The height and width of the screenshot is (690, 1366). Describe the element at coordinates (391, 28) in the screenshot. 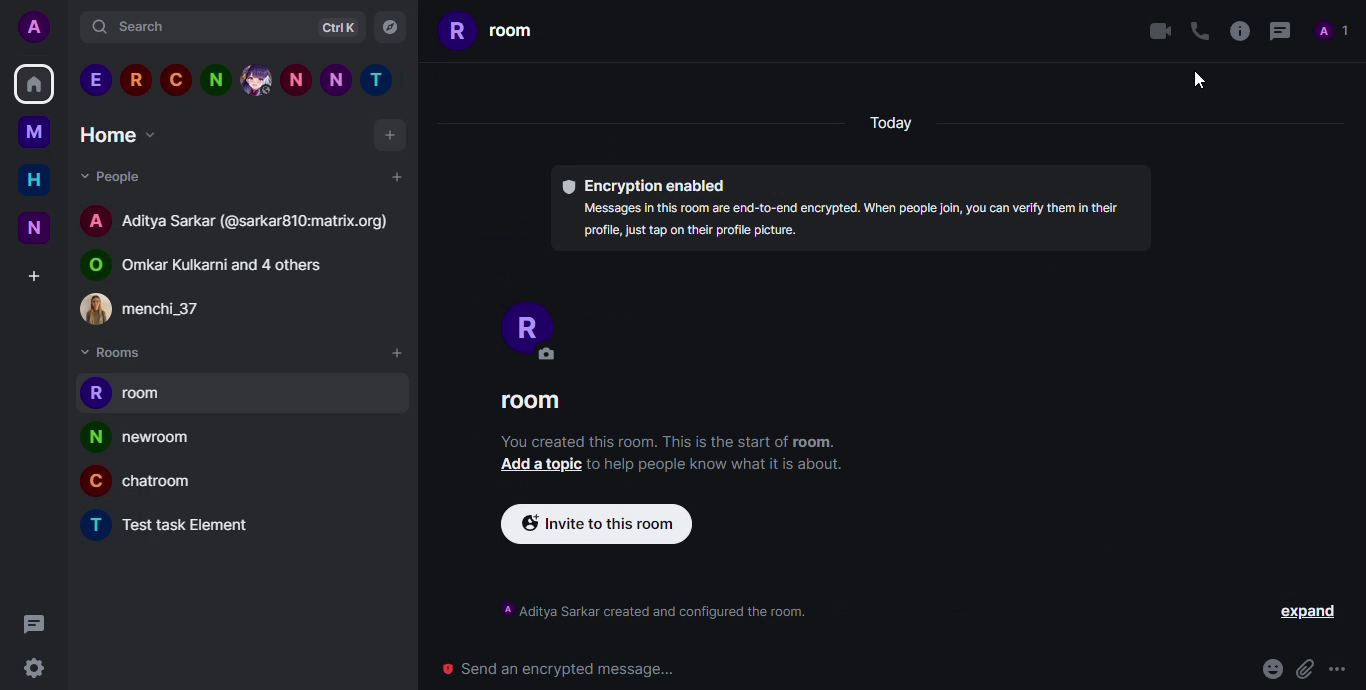

I see `navigator` at that location.